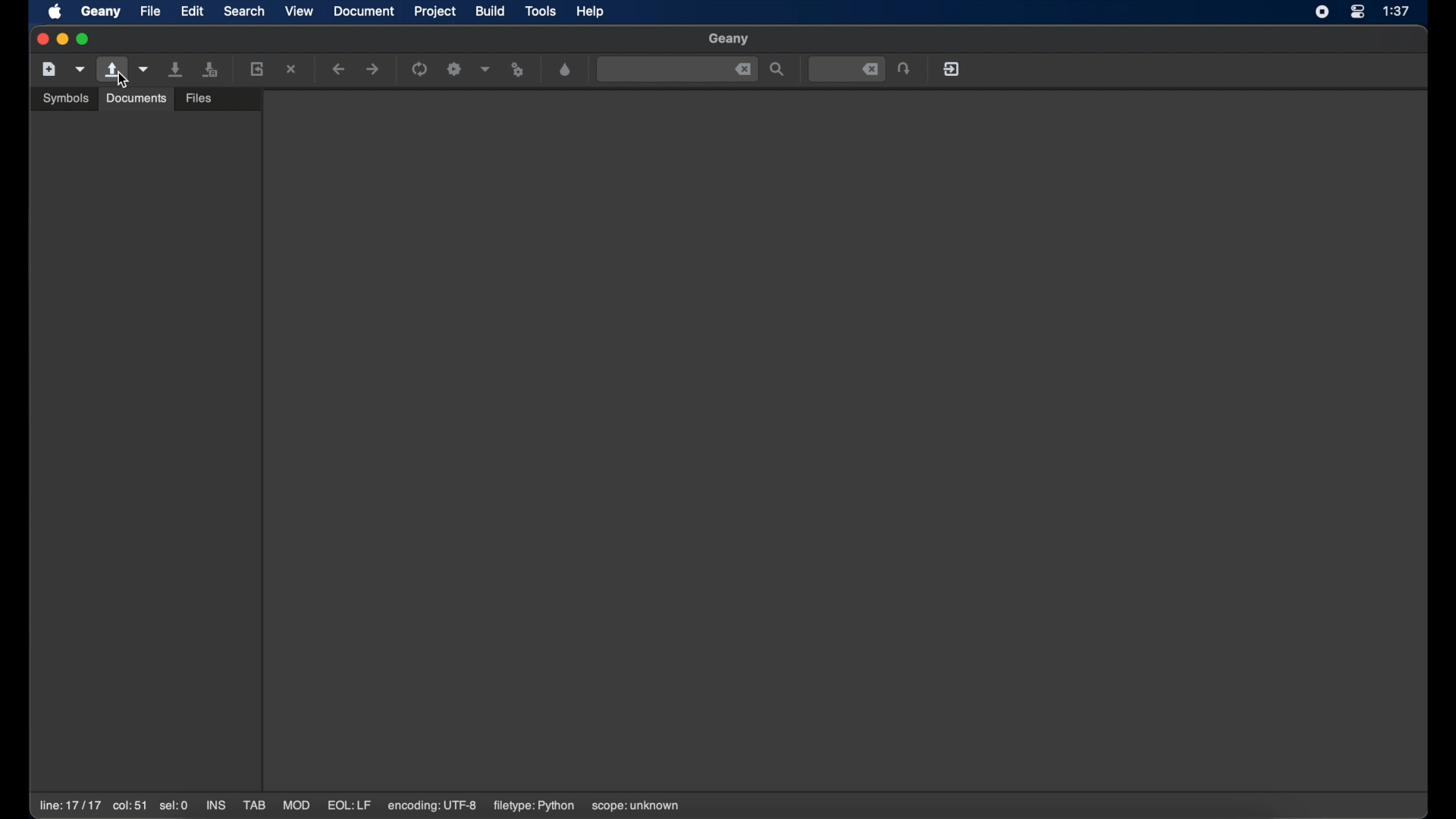 Image resolution: width=1456 pixels, height=819 pixels. I want to click on edit, so click(193, 11).